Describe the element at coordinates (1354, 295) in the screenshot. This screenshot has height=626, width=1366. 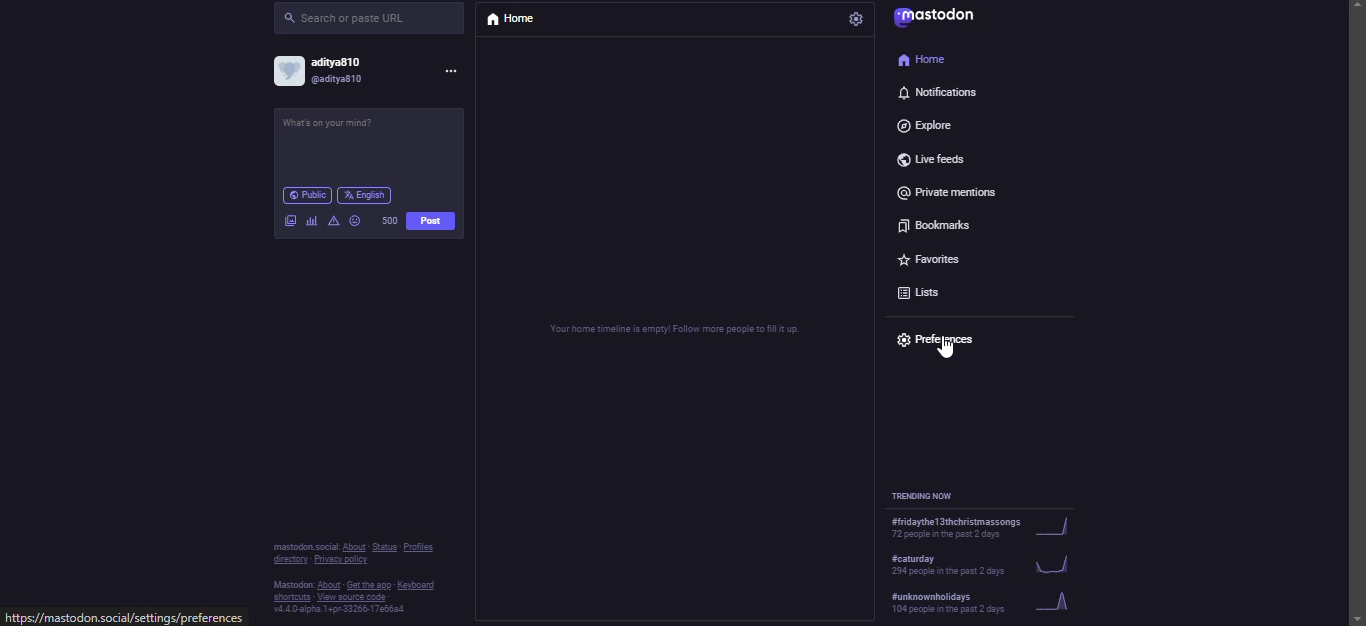
I see `scroll bar` at that location.